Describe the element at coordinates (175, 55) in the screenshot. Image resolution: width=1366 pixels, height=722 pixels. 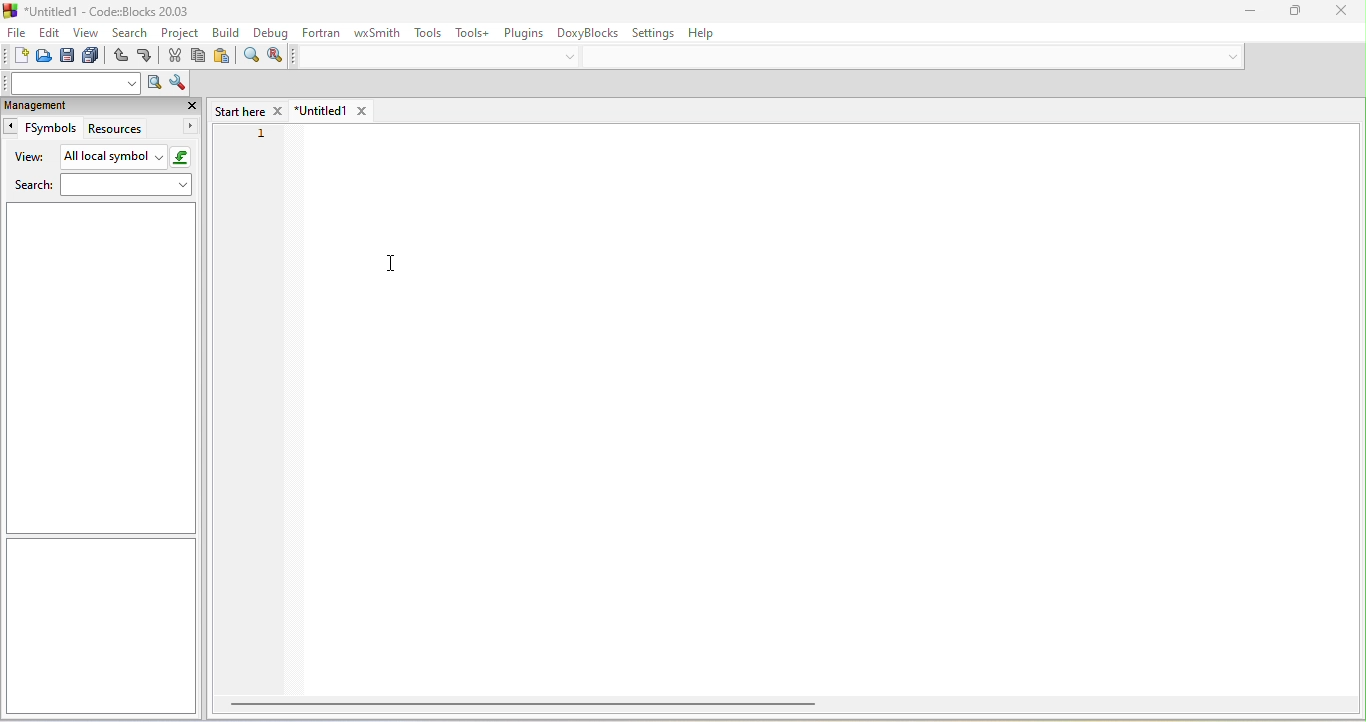
I see `cut` at that location.